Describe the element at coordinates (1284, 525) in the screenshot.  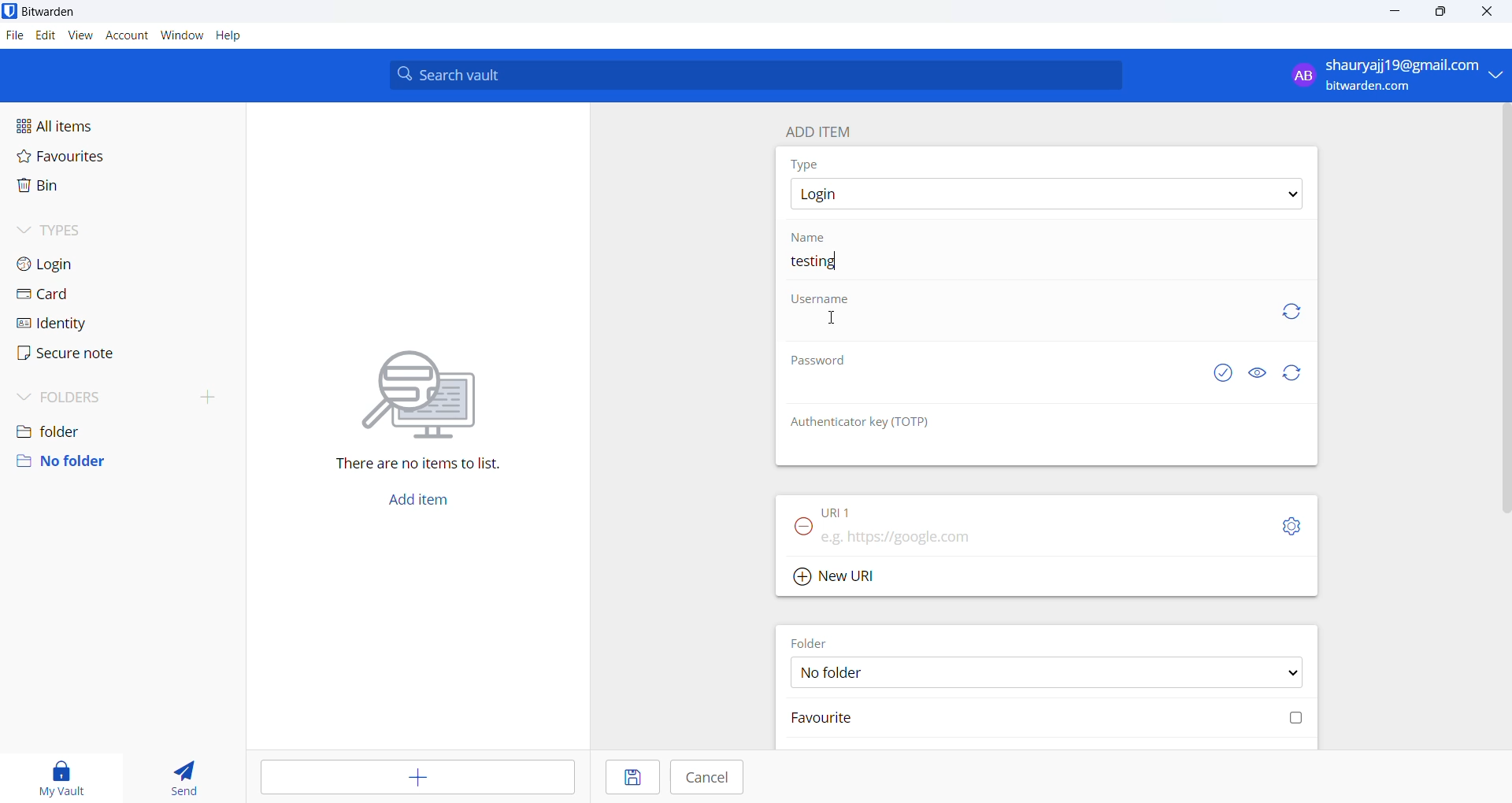
I see `URL setting` at that location.